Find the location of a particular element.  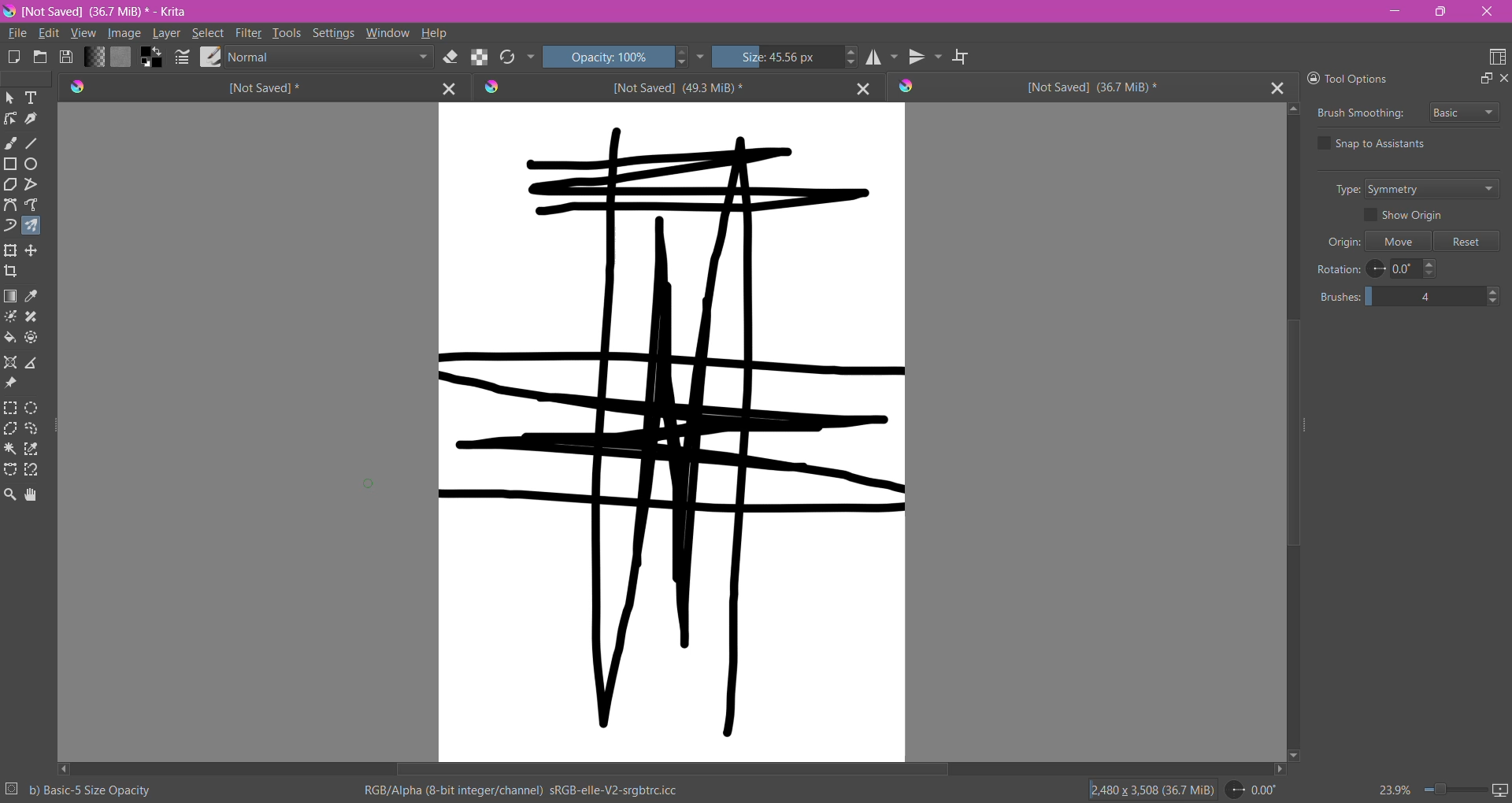

Close Tab is located at coordinates (1278, 87).